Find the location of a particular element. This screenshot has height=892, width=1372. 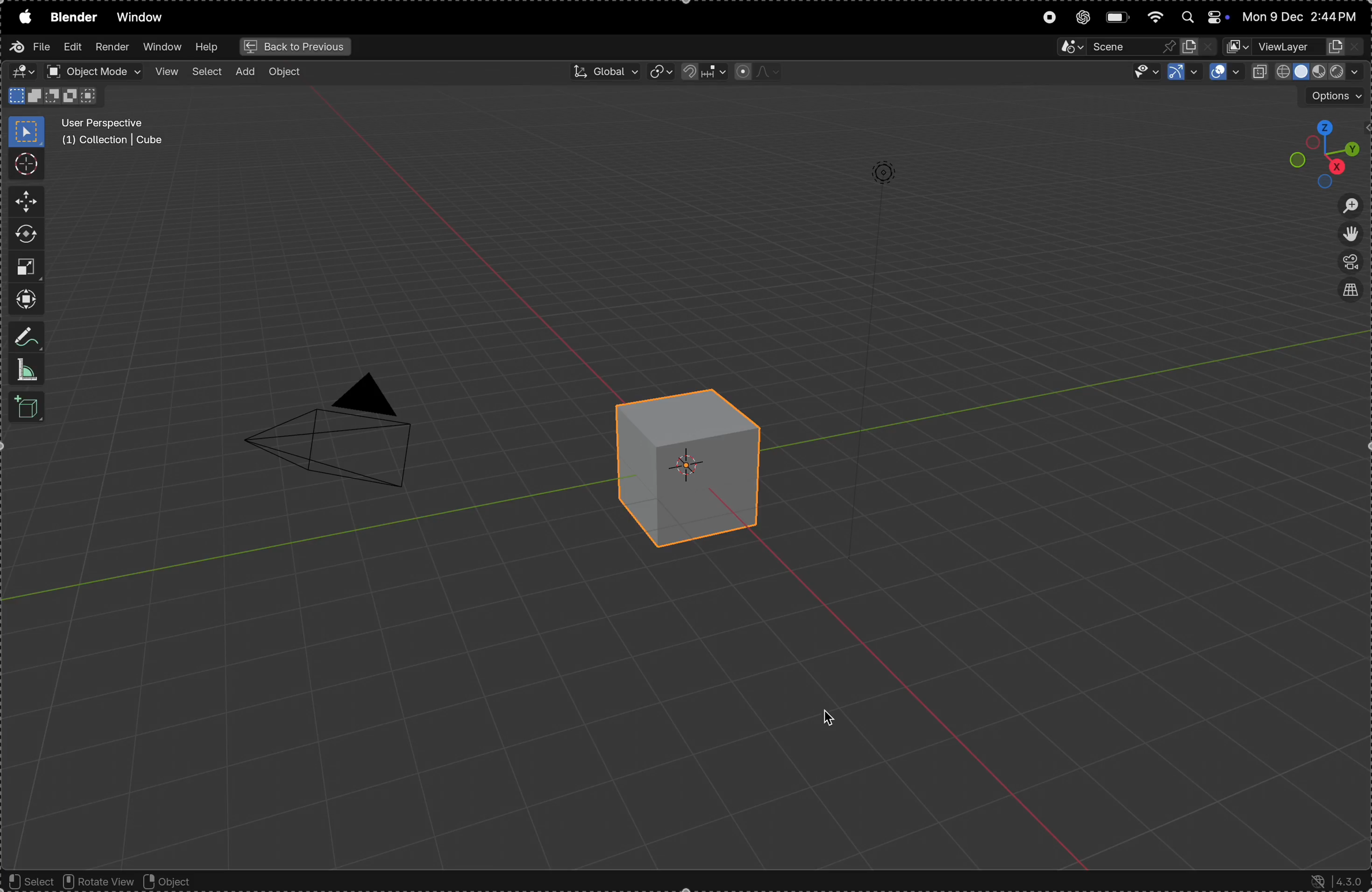

object is located at coordinates (178, 882).